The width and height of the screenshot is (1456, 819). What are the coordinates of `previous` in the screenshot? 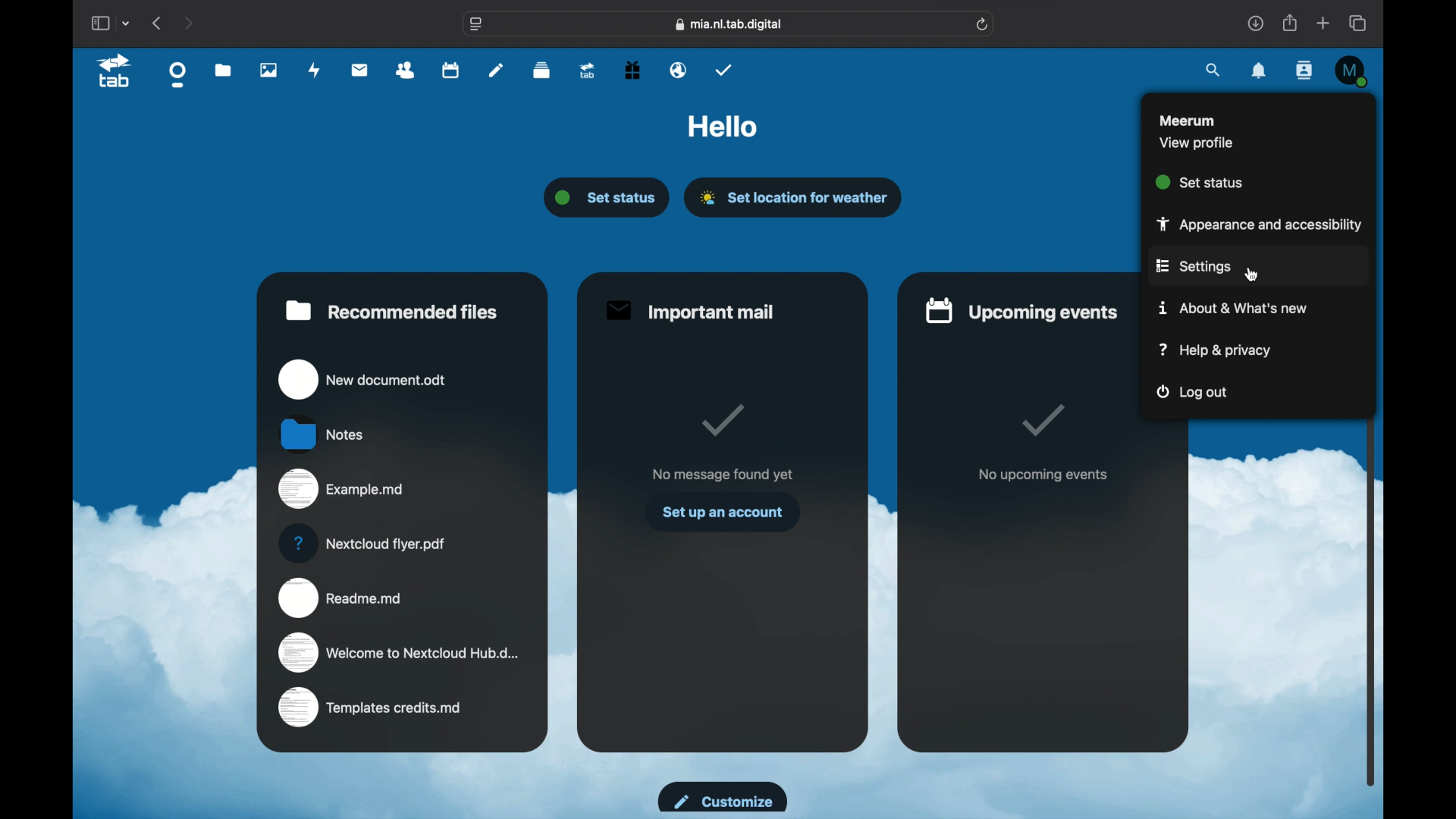 It's located at (158, 23).